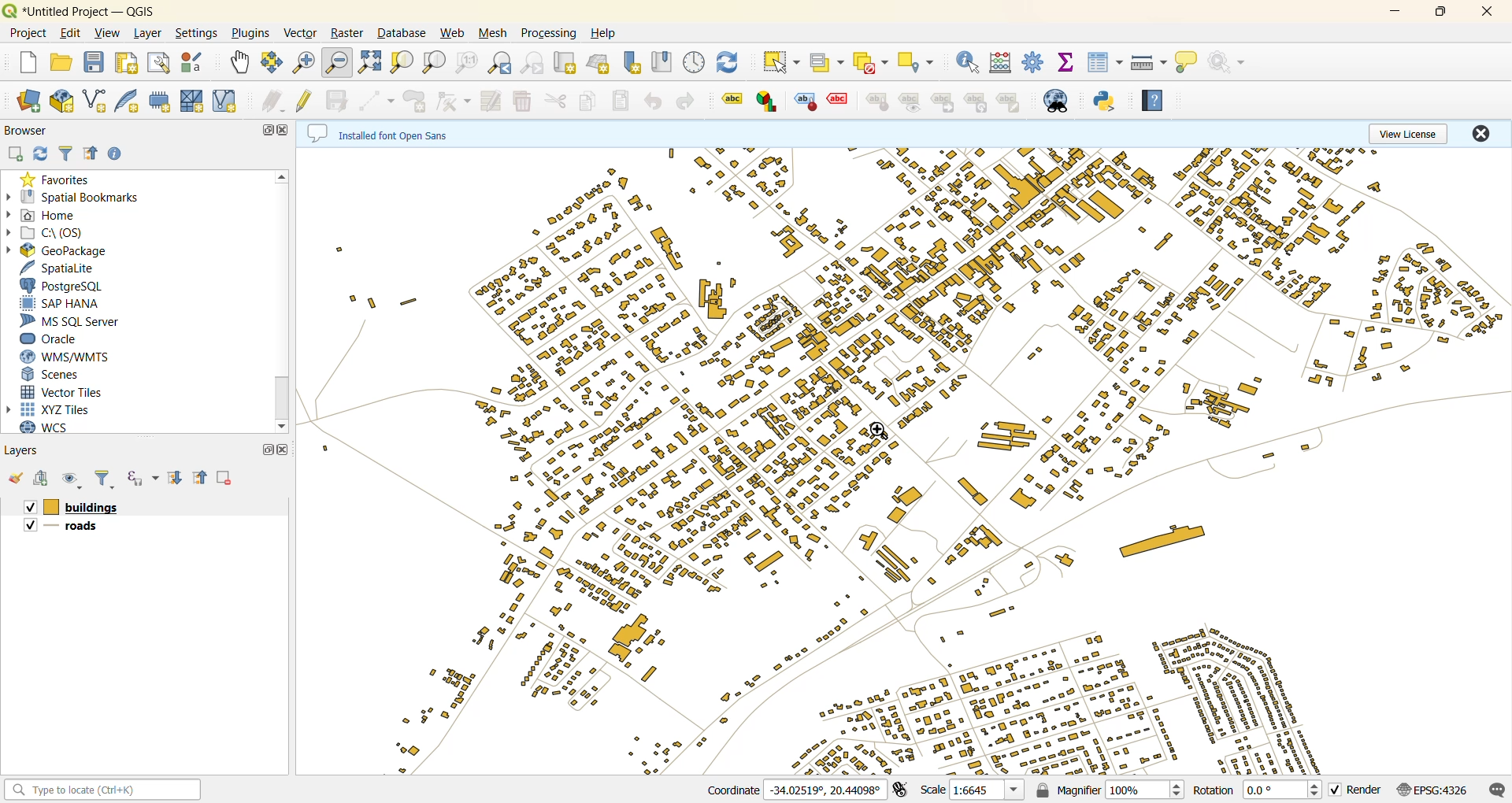  I want to click on modify, so click(490, 102).